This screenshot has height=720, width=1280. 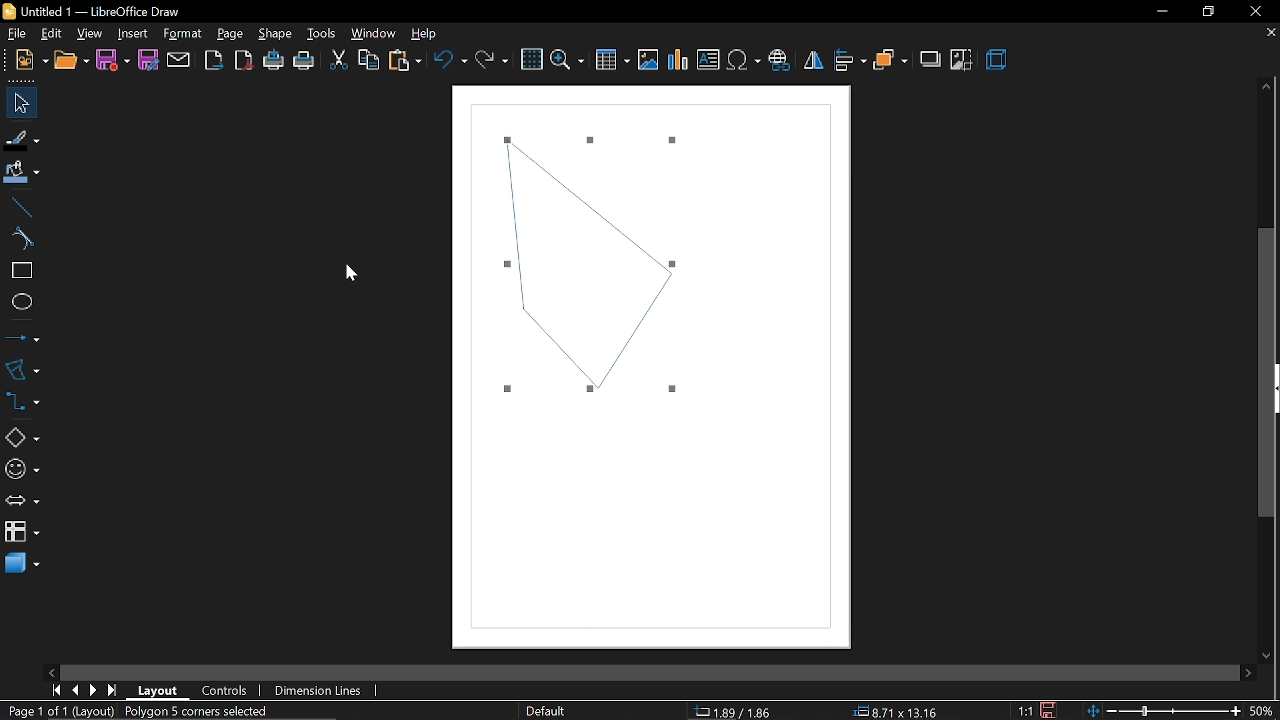 What do you see at coordinates (18, 240) in the screenshot?
I see `curve` at bounding box center [18, 240].